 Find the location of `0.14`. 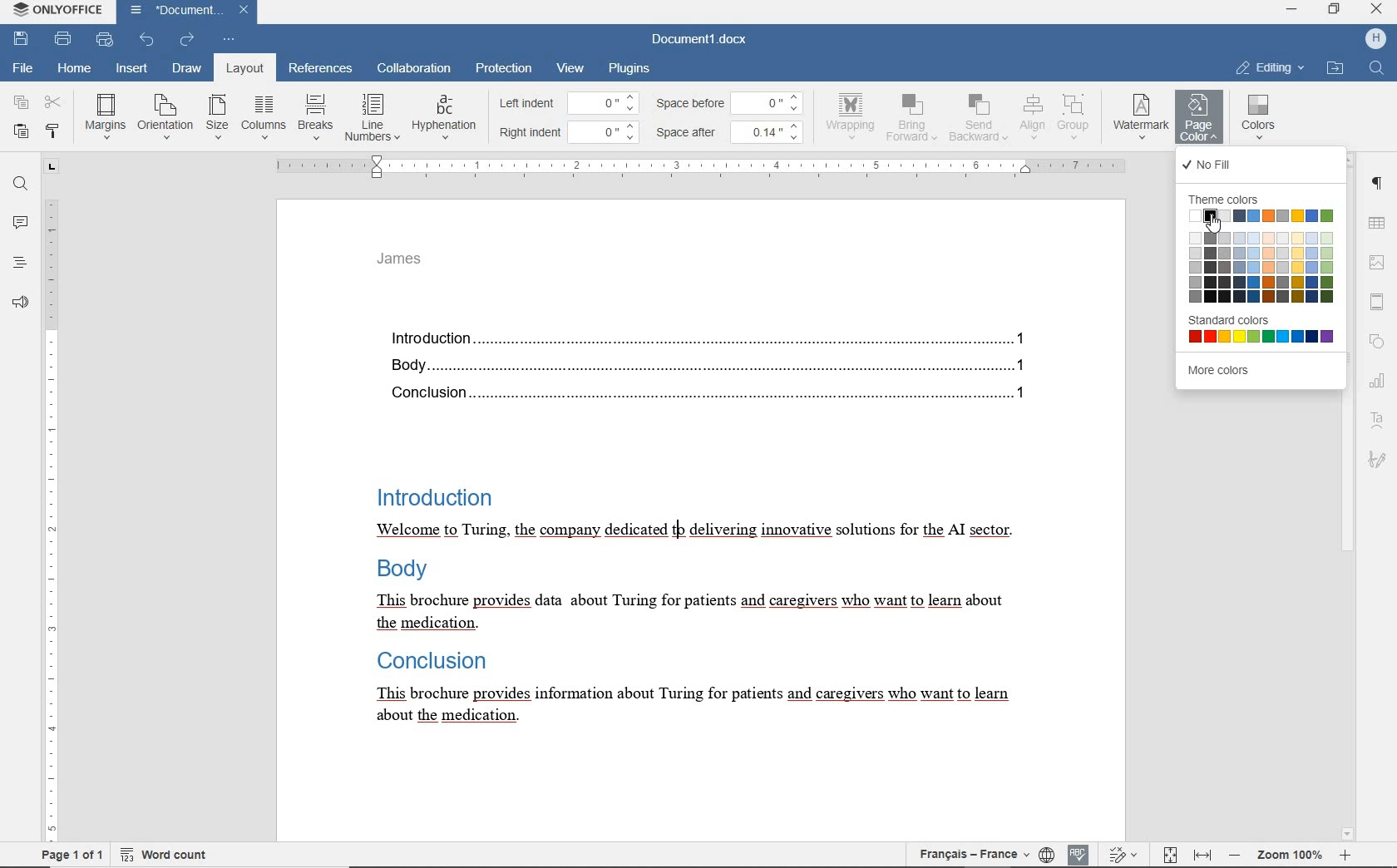

0.14 is located at coordinates (773, 131).